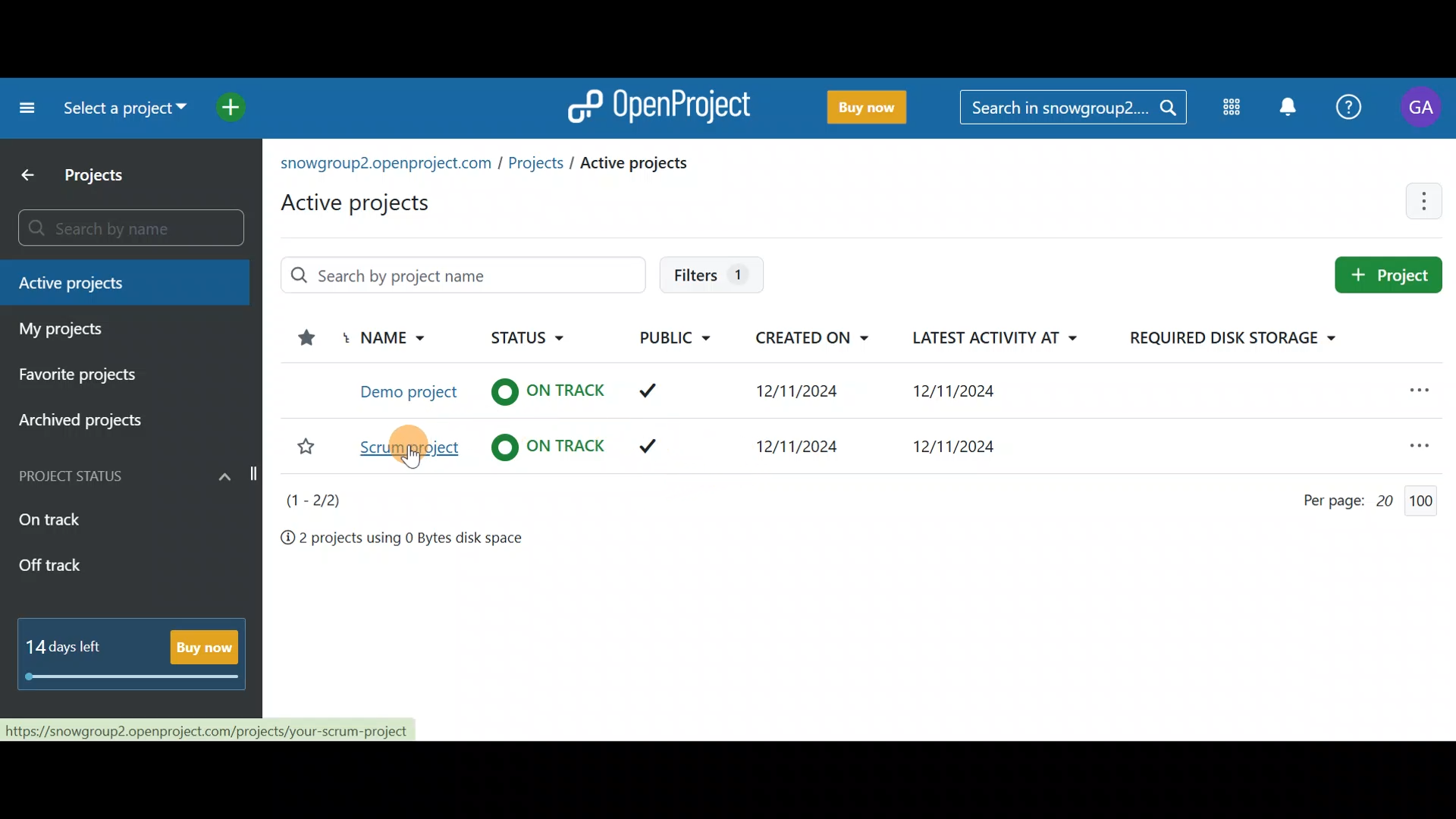 Image resolution: width=1456 pixels, height=819 pixels. Describe the element at coordinates (711, 270) in the screenshot. I see `Filters` at that location.